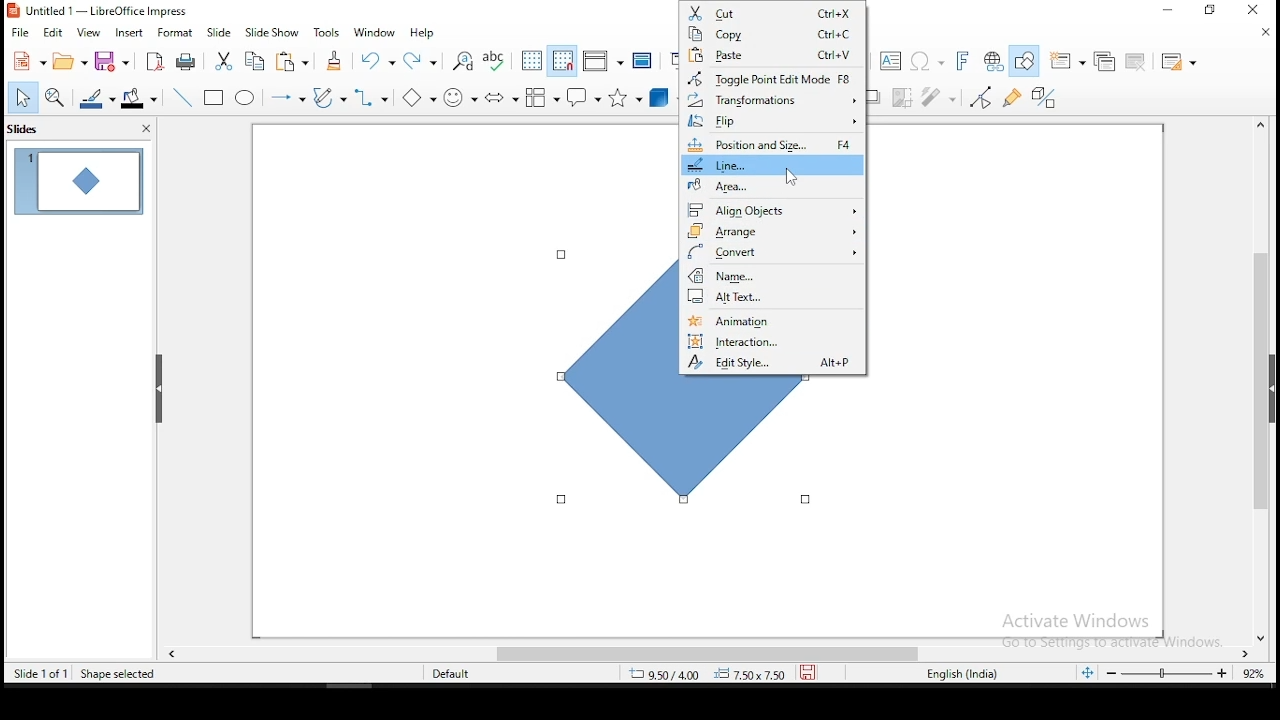 Image resolution: width=1280 pixels, height=720 pixels. I want to click on show gluepoint functions, so click(1013, 98).